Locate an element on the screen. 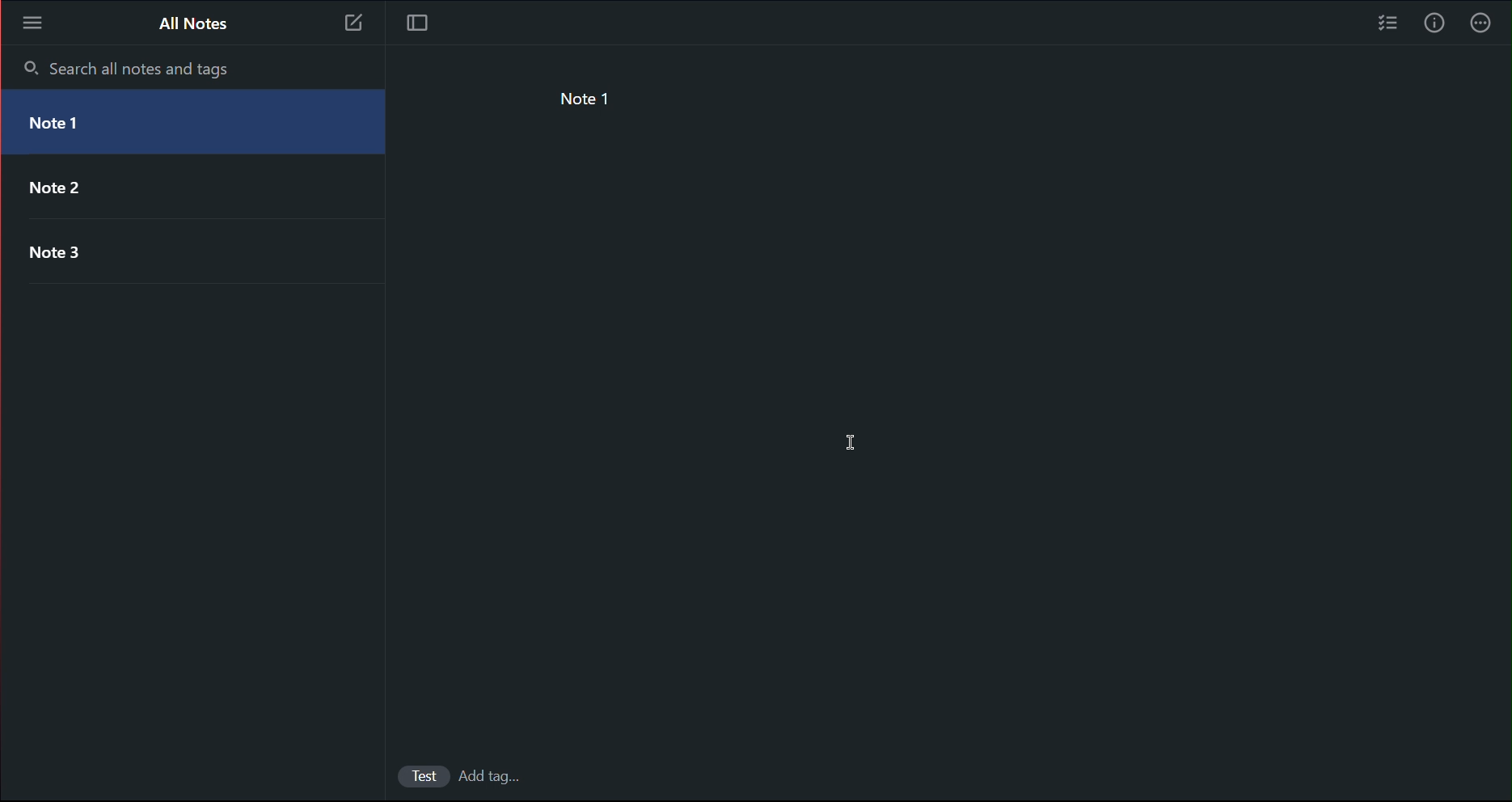  Note 1 is located at coordinates (198, 123).